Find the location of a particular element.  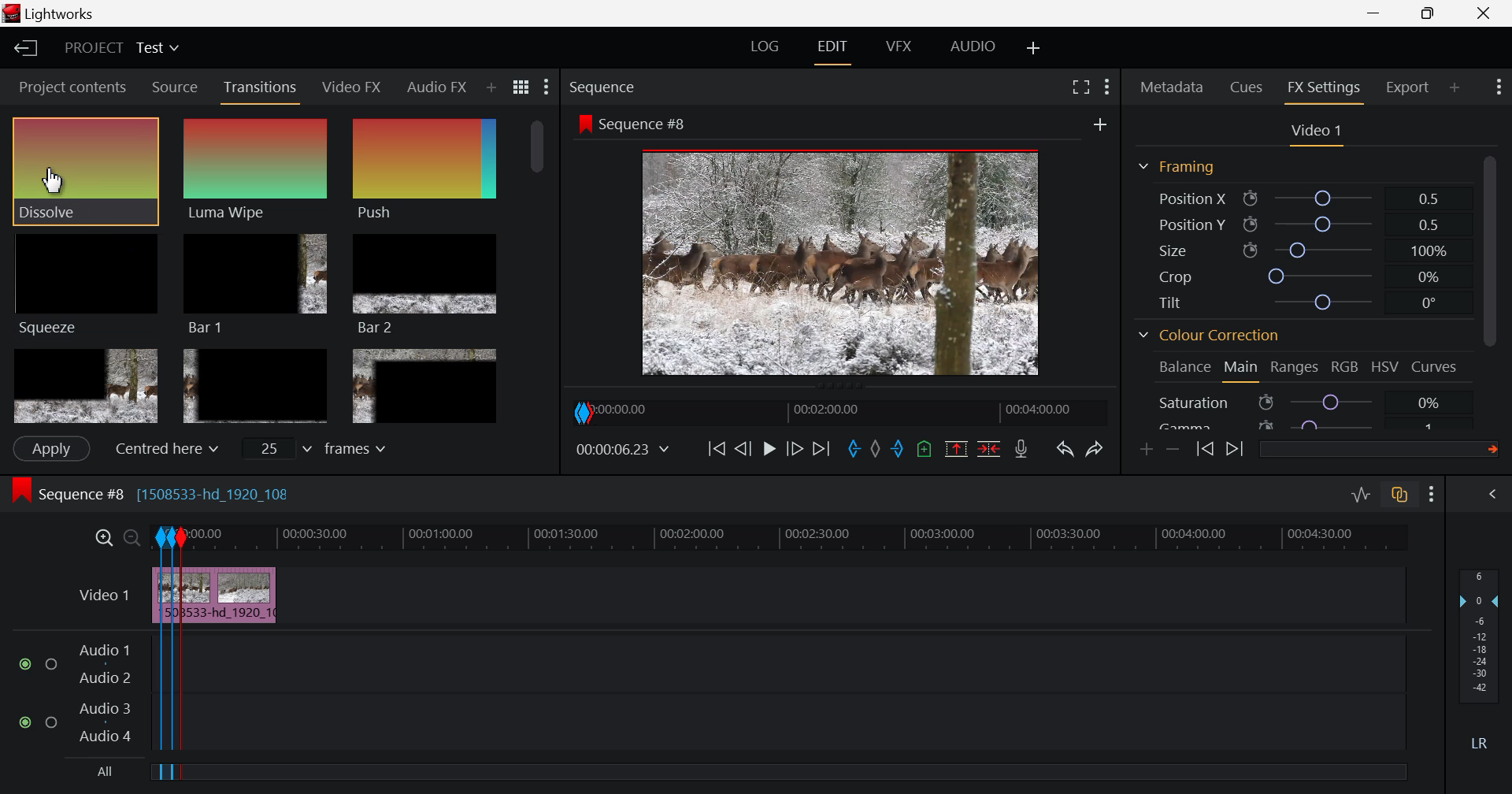

Tilt is located at coordinates (1303, 304).